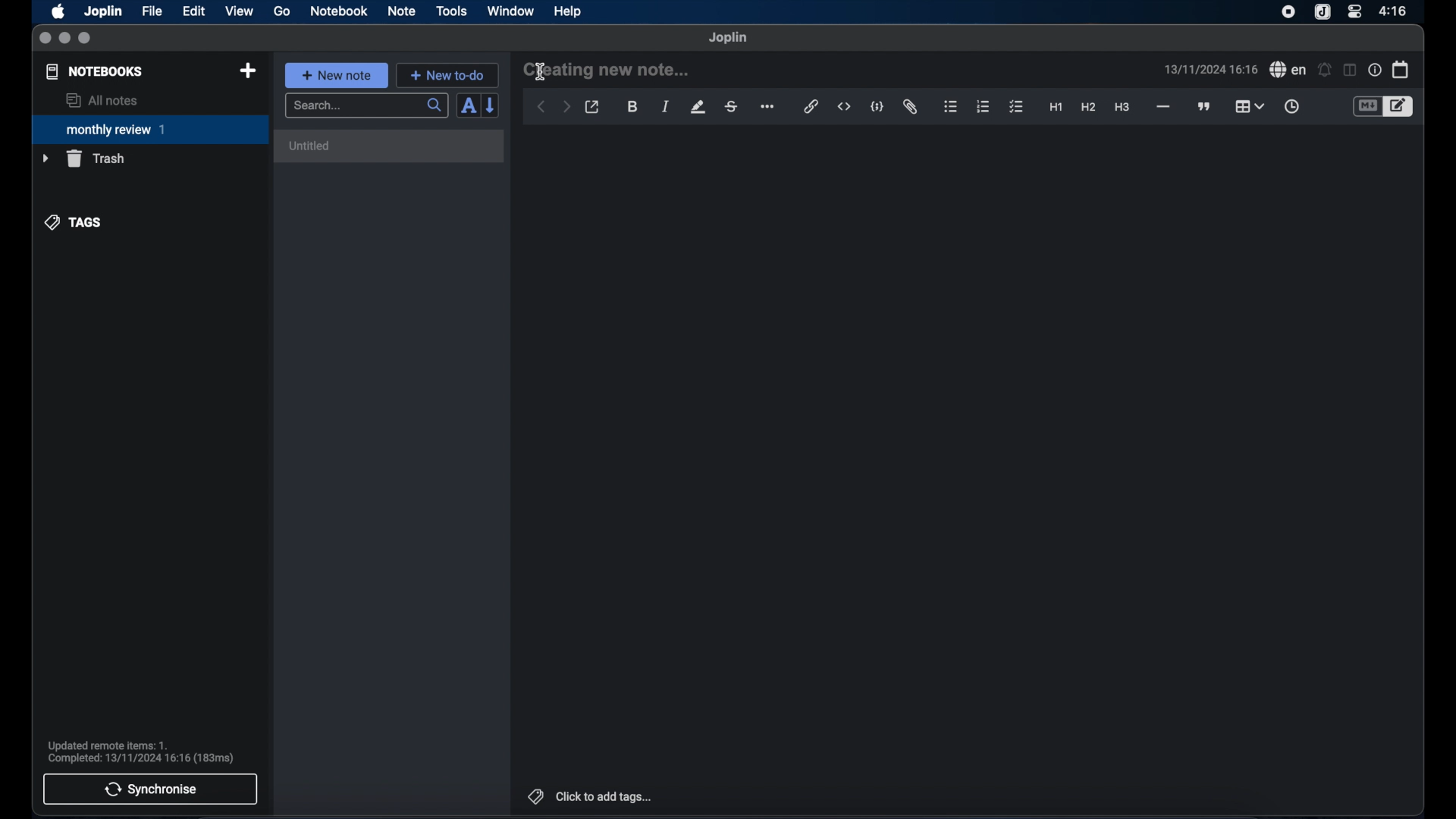 The width and height of the screenshot is (1456, 819). I want to click on new notebook, so click(247, 71).